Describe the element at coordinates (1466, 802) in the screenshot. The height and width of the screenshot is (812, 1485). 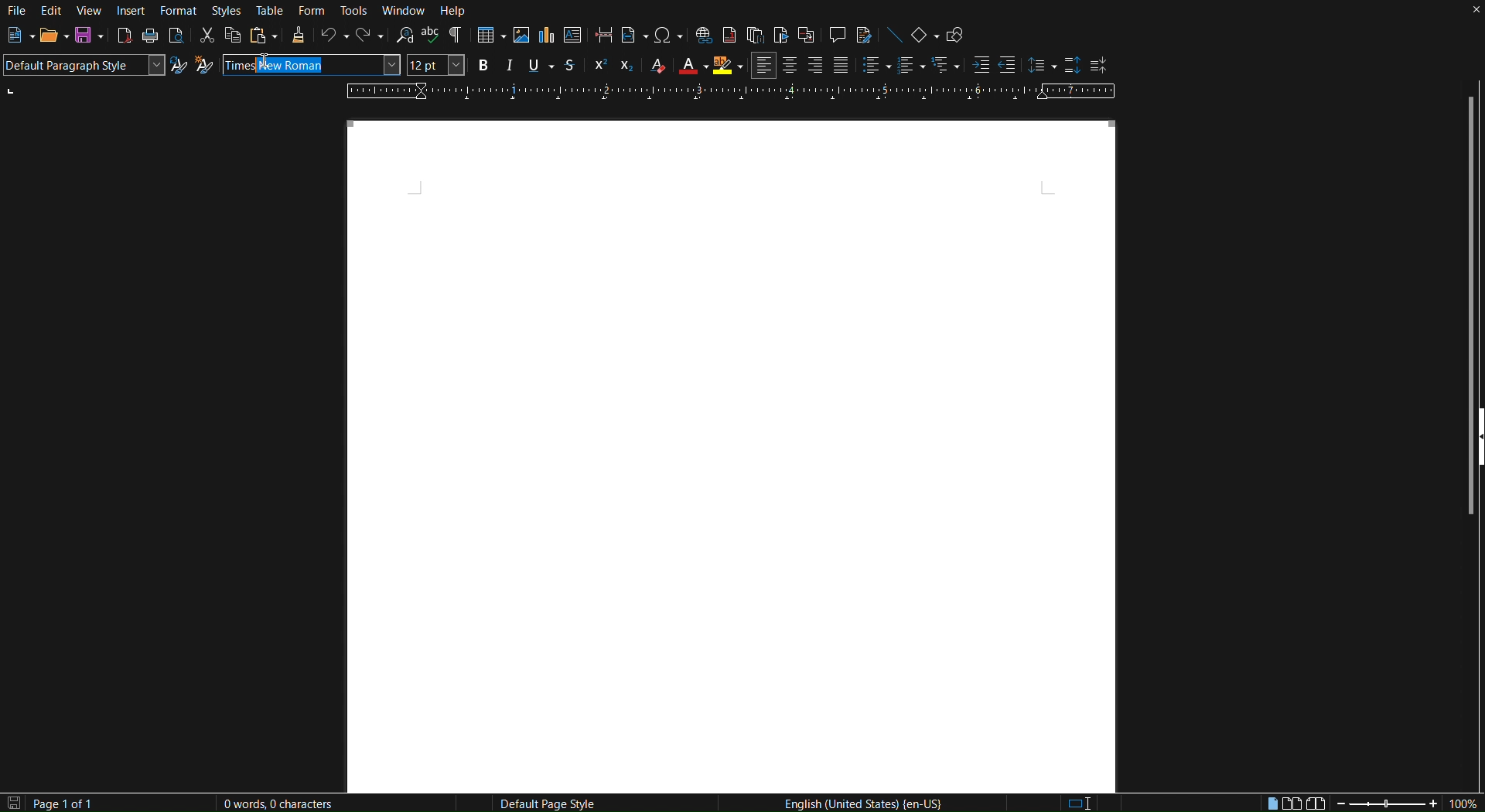
I see `Zoom factor` at that location.